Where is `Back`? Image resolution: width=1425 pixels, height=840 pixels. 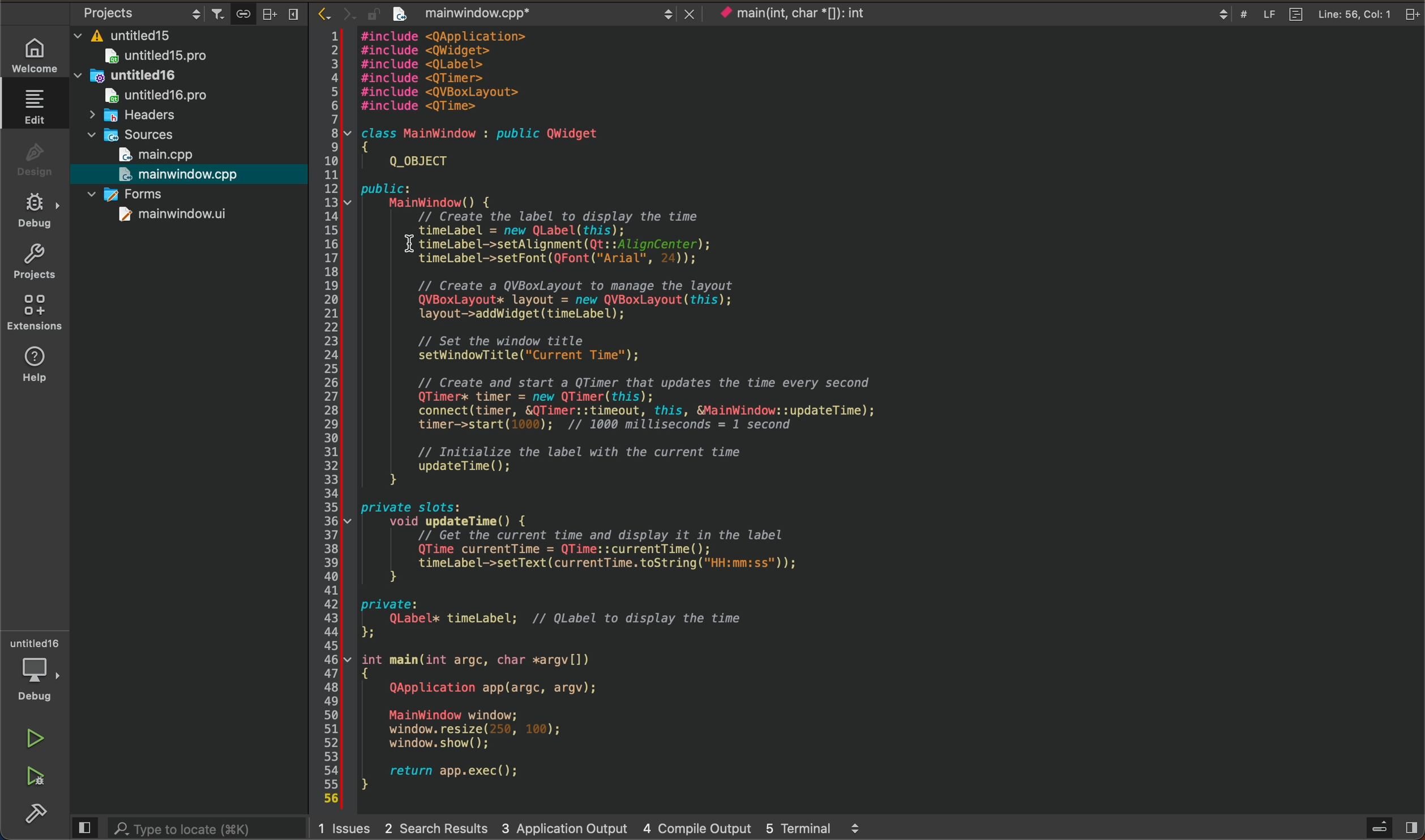
Back is located at coordinates (323, 12).